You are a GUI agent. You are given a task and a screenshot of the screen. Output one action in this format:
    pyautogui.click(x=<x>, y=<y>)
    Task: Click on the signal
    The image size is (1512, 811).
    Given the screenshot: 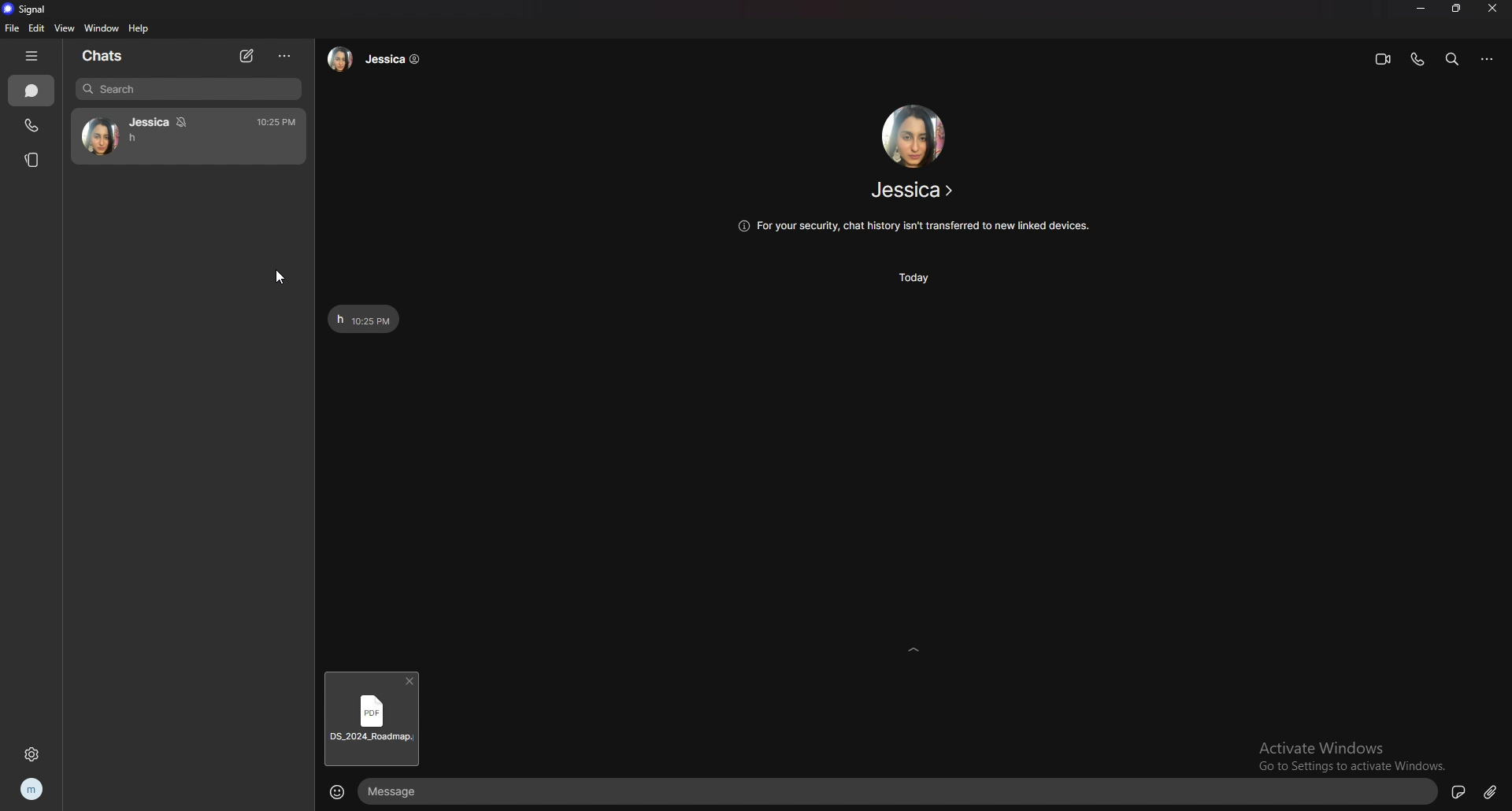 What is the action you would take?
    pyautogui.click(x=24, y=9)
    